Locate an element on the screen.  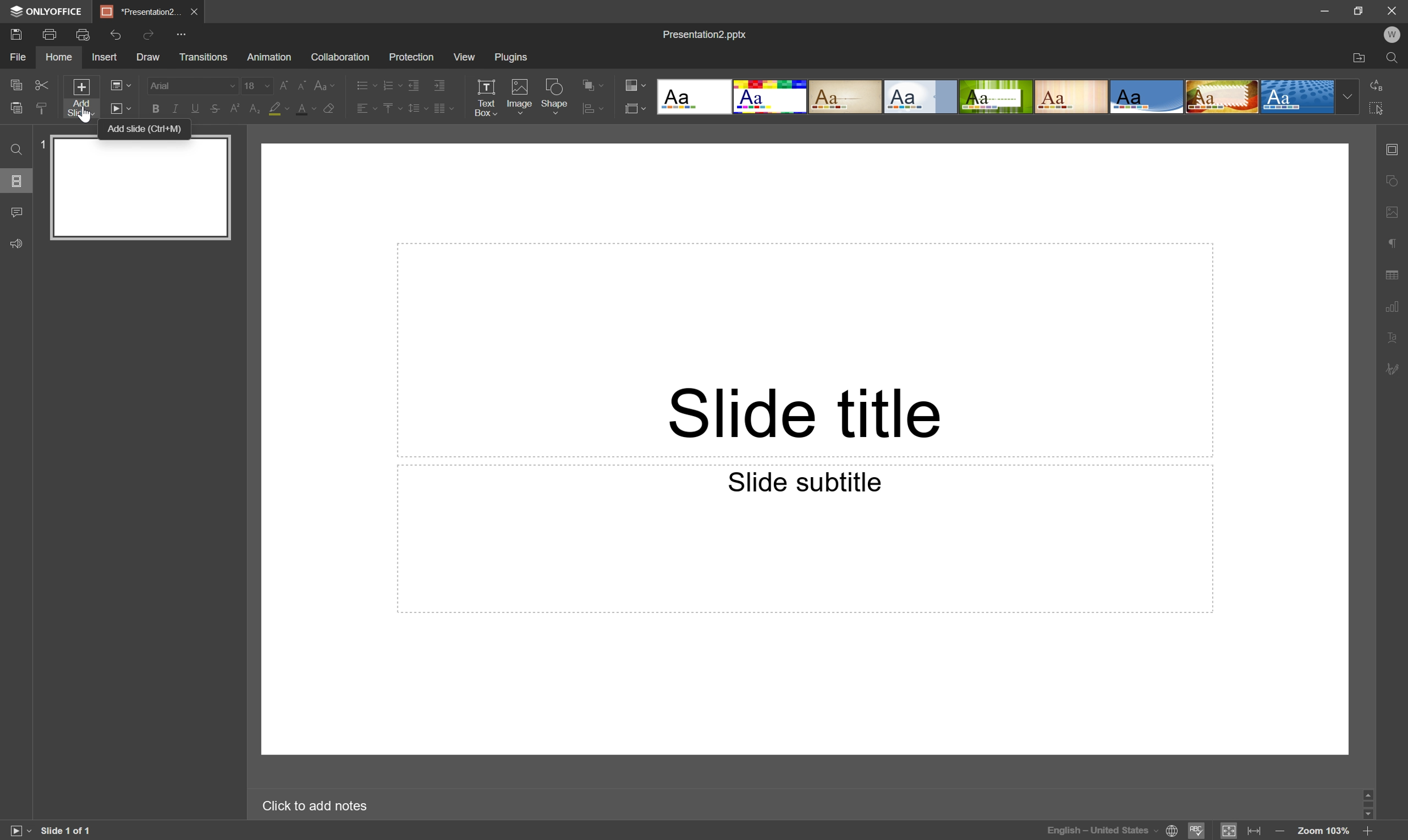
Increment font size is located at coordinates (281, 83).